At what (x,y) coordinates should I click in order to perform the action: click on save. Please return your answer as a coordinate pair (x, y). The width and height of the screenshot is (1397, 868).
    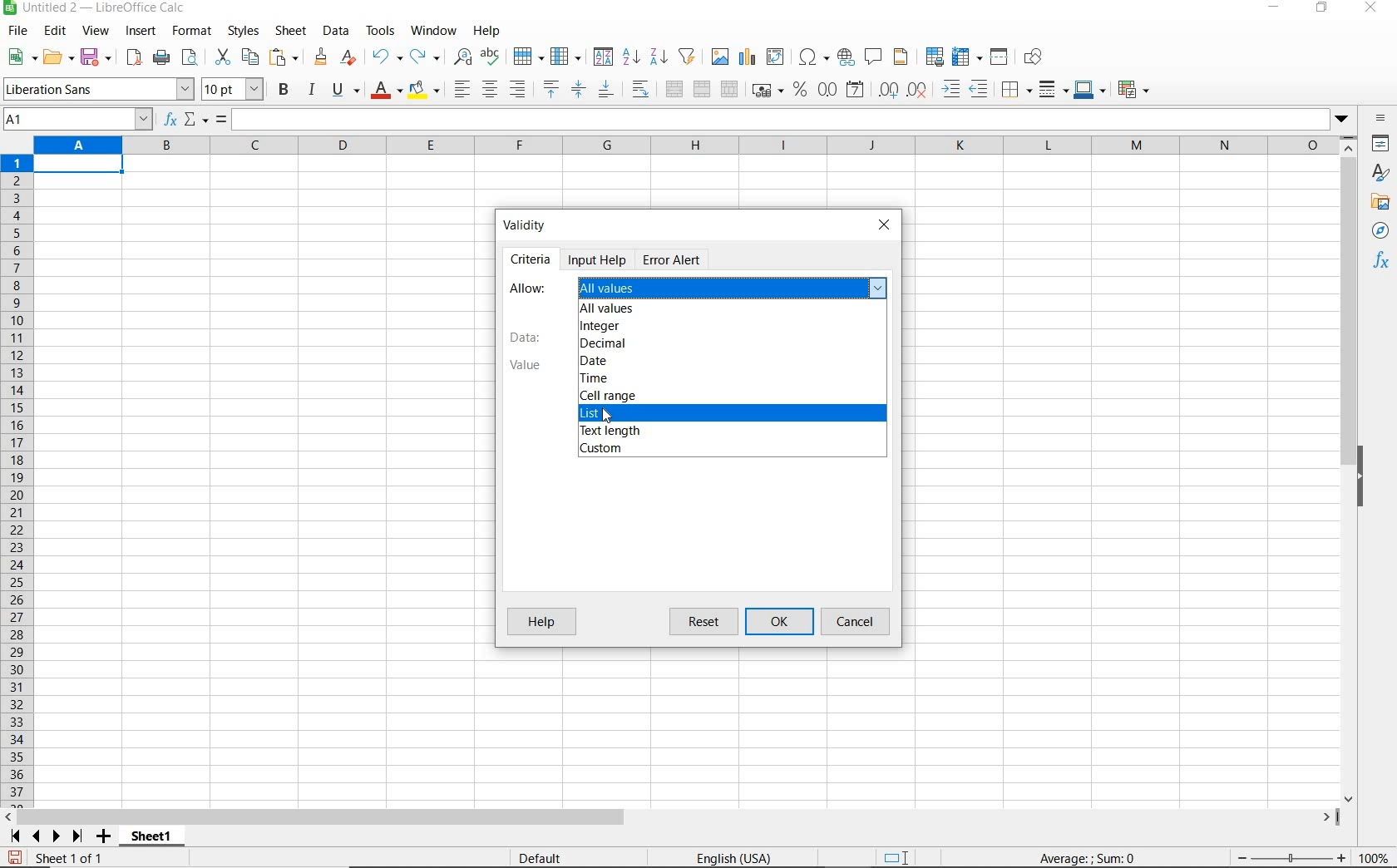
    Looking at the image, I should click on (15, 858).